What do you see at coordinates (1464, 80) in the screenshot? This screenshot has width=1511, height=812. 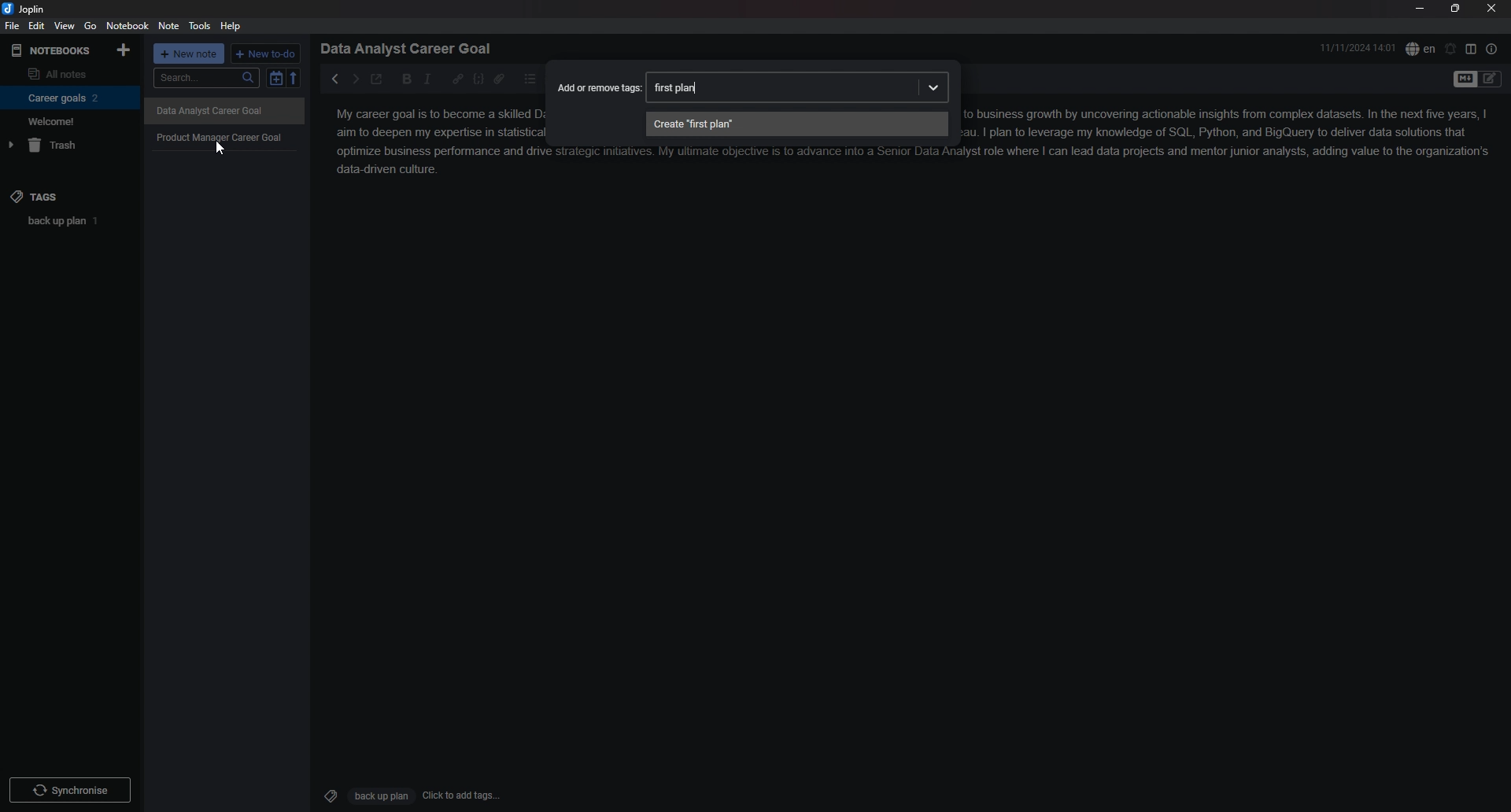 I see `toggle editor` at bounding box center [1464, 80].